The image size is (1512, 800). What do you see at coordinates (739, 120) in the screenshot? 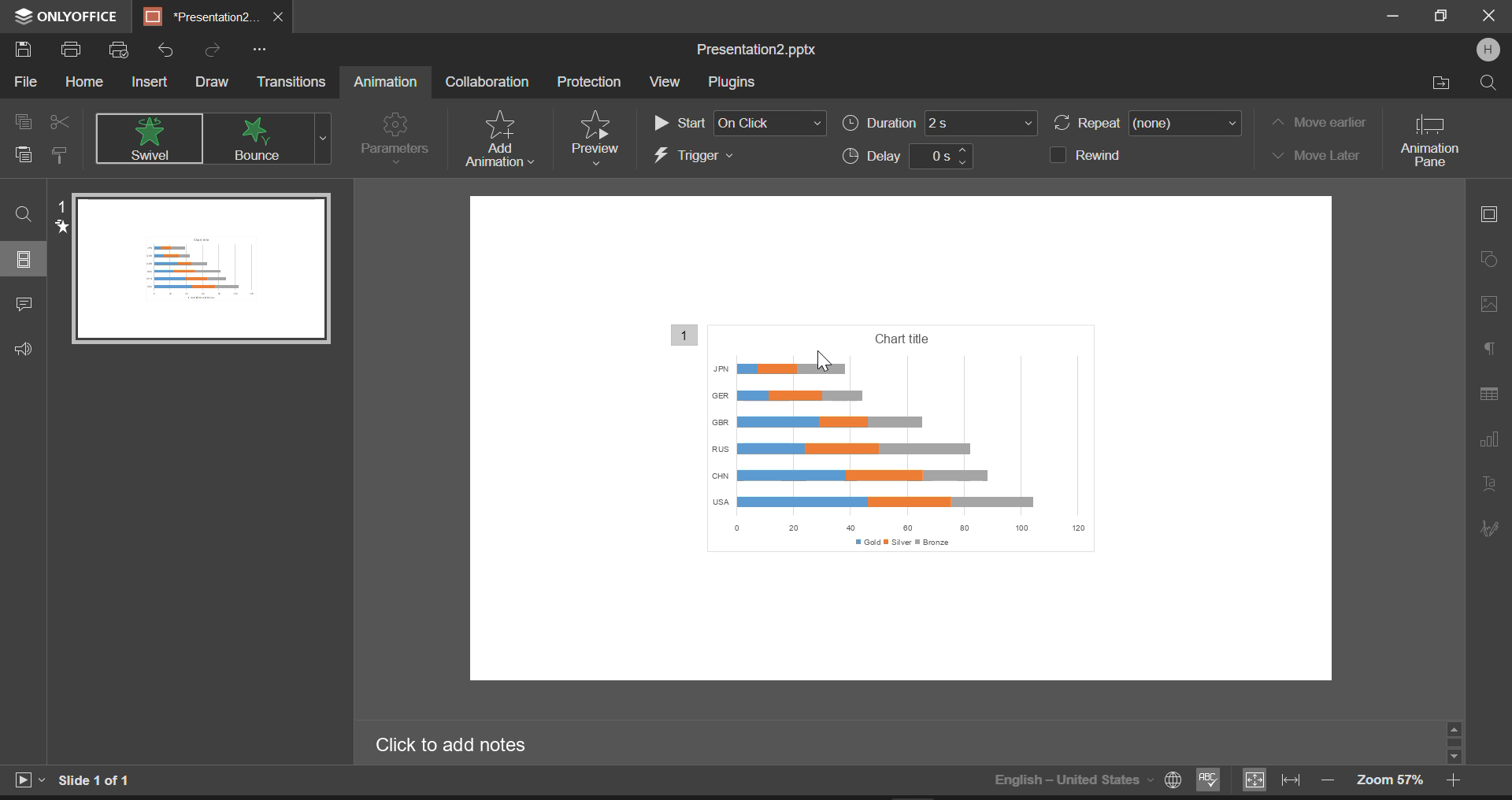
I see `Start point` at bounding box center [739, 120].